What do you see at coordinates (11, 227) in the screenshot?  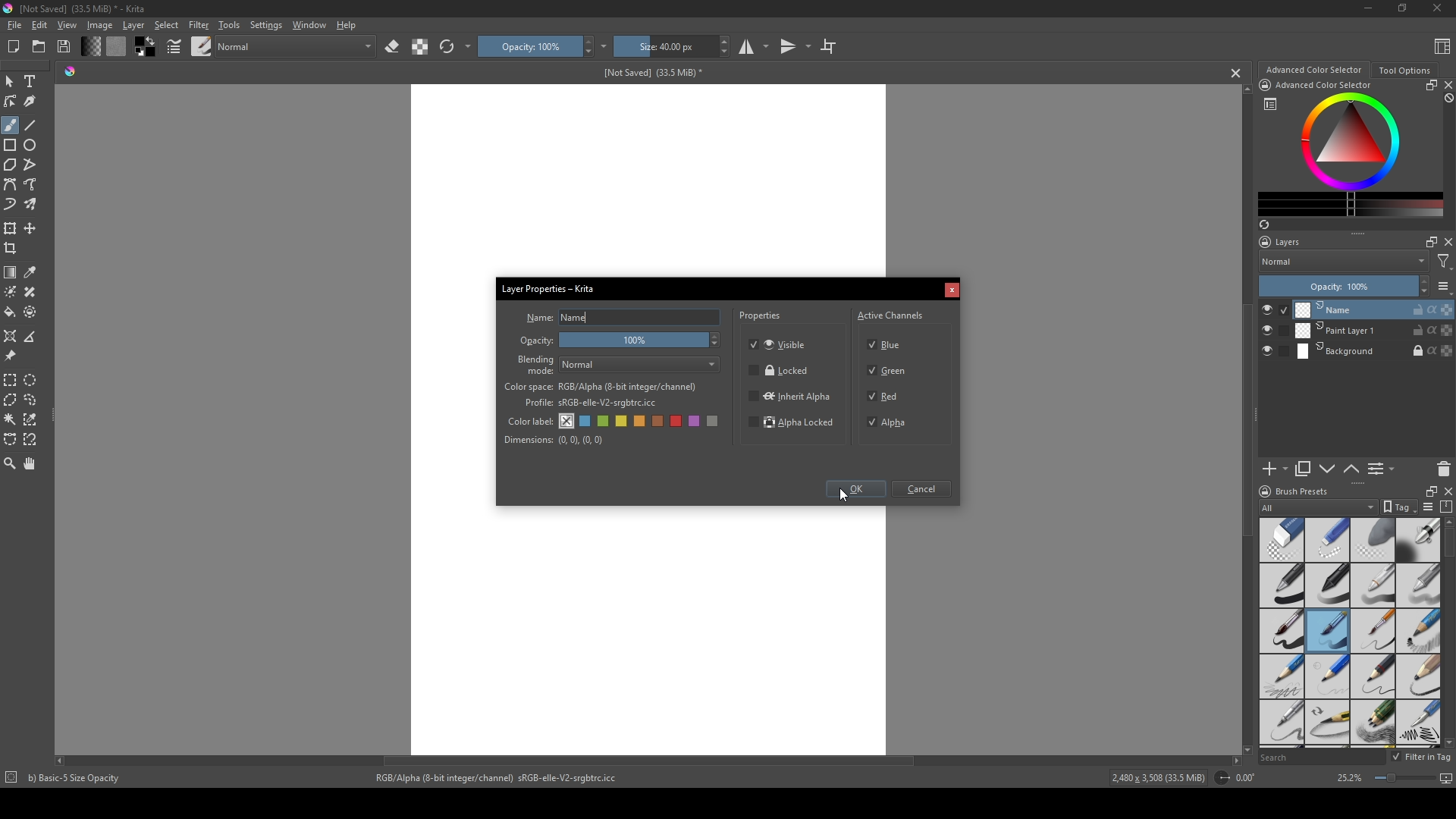 I see `transform` at bounding box center [11, 227].